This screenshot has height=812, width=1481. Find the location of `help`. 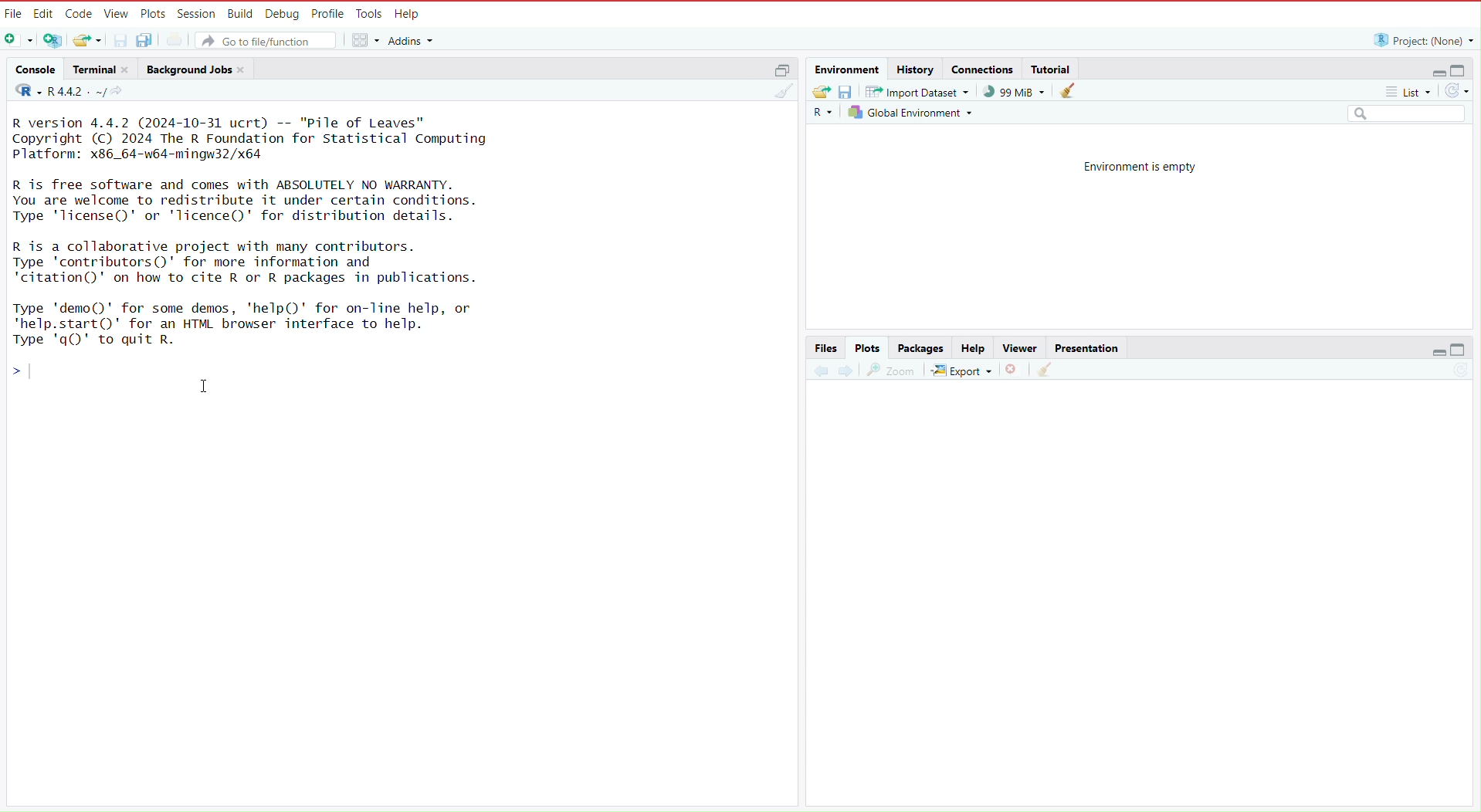

help is located at coordinates (971, 347).